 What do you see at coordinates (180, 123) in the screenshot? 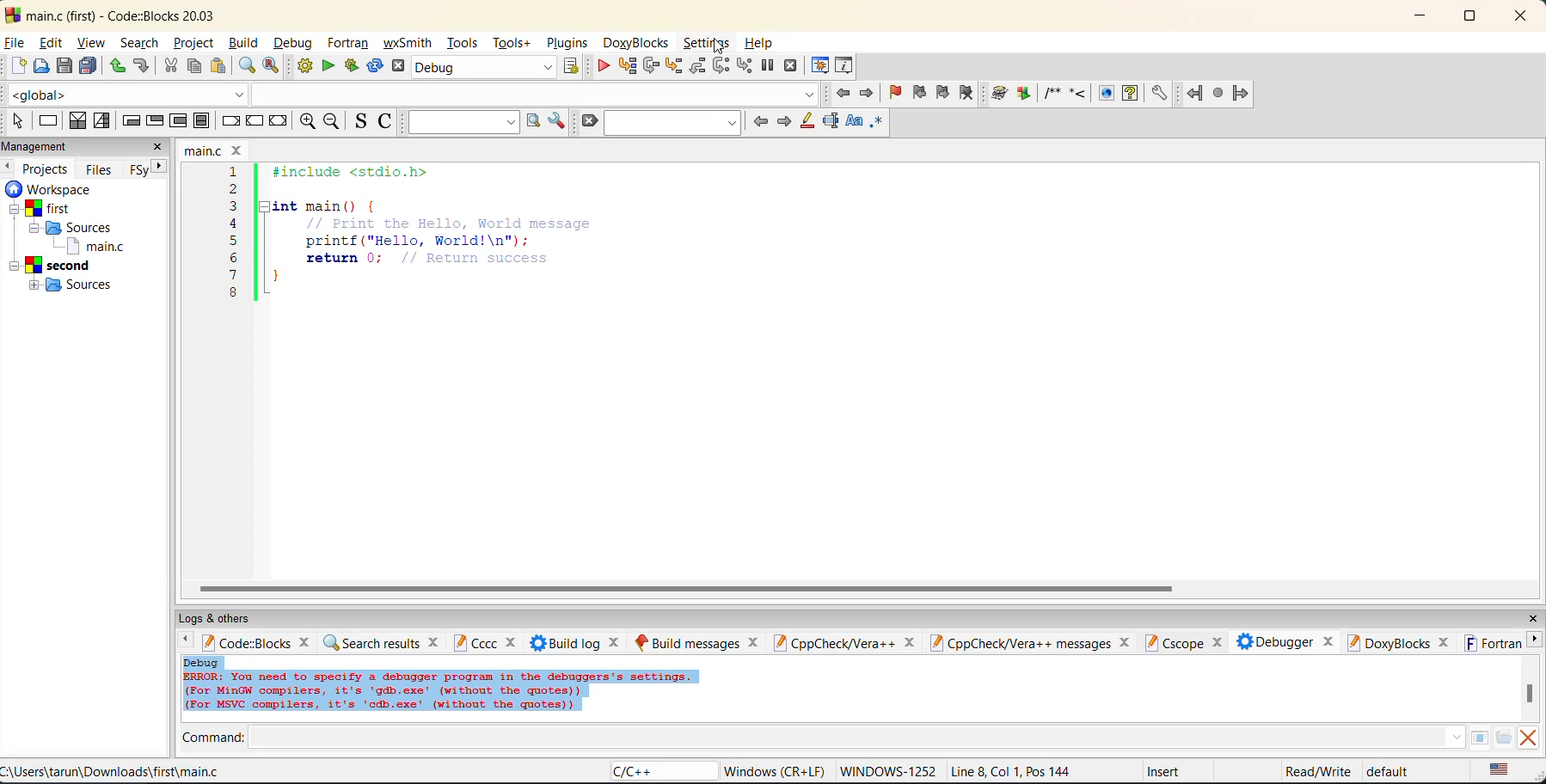
I see `counting loop` at bounding box center [180, 123].